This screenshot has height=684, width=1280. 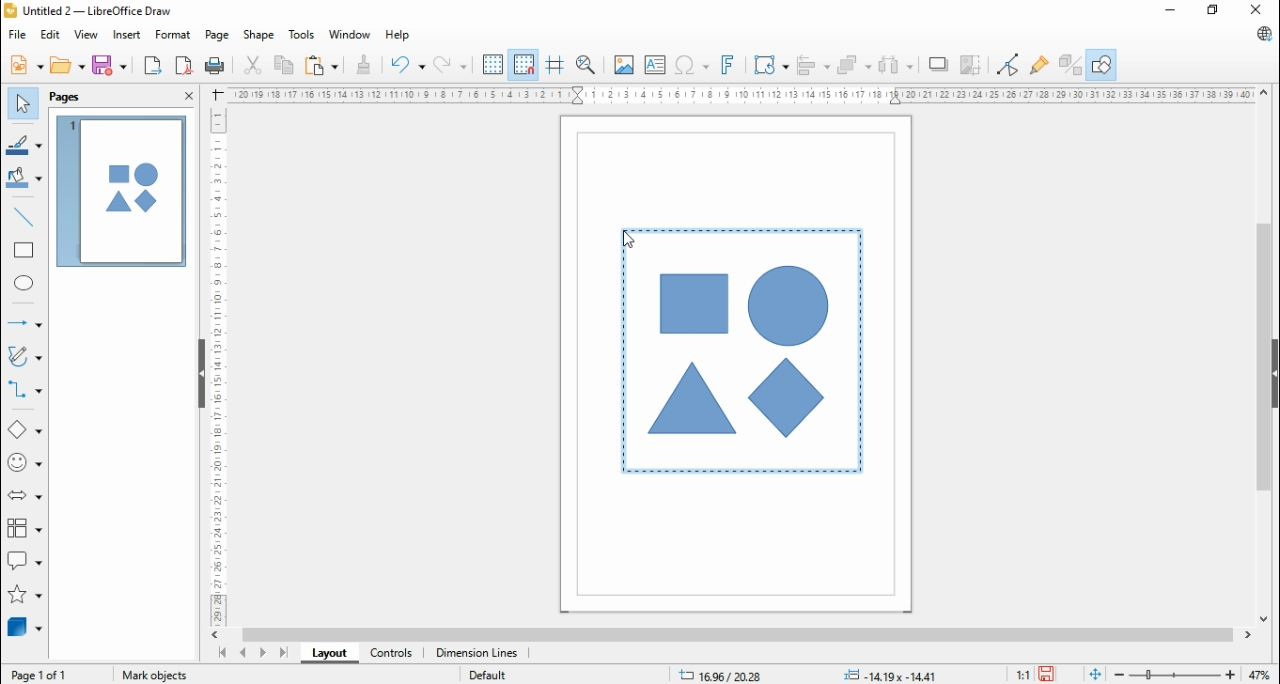 I want to click on close window, so click(x=1260, y=9).